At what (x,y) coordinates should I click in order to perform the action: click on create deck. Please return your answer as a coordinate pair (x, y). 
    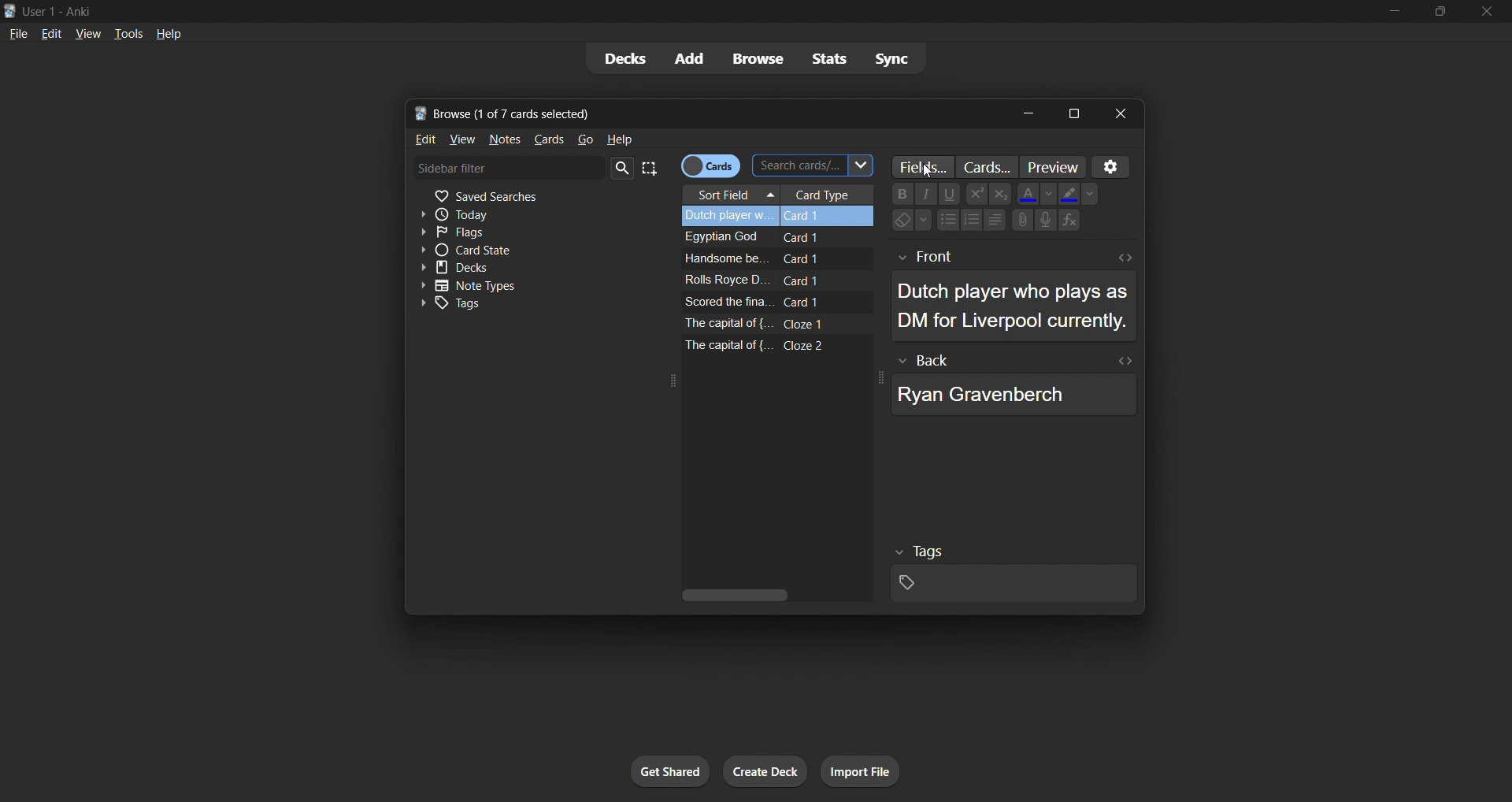
    Looking at the image, I should click on (767, 774).